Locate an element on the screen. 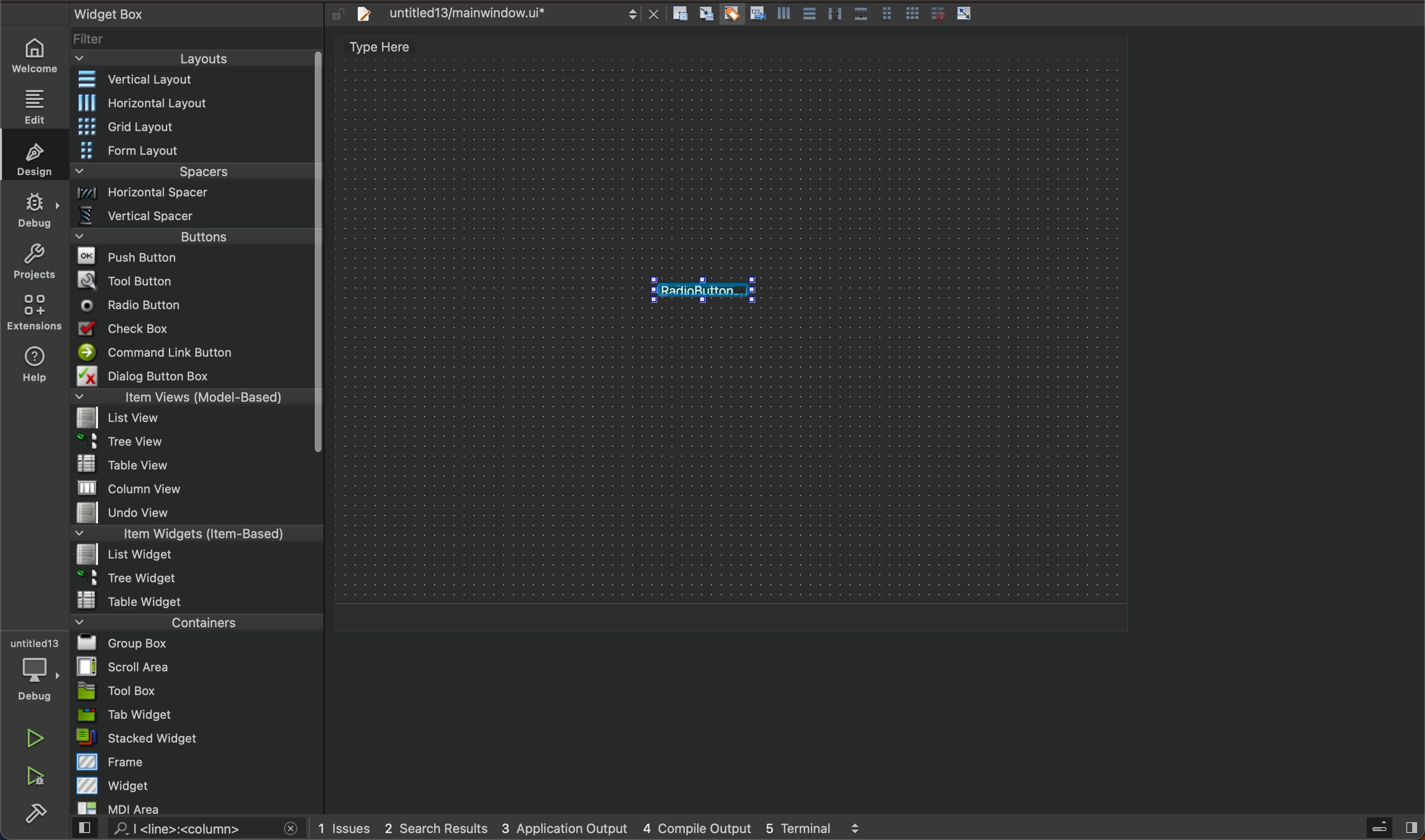 The image size is (1425, 840). logs is located at coordinates (607, 828).